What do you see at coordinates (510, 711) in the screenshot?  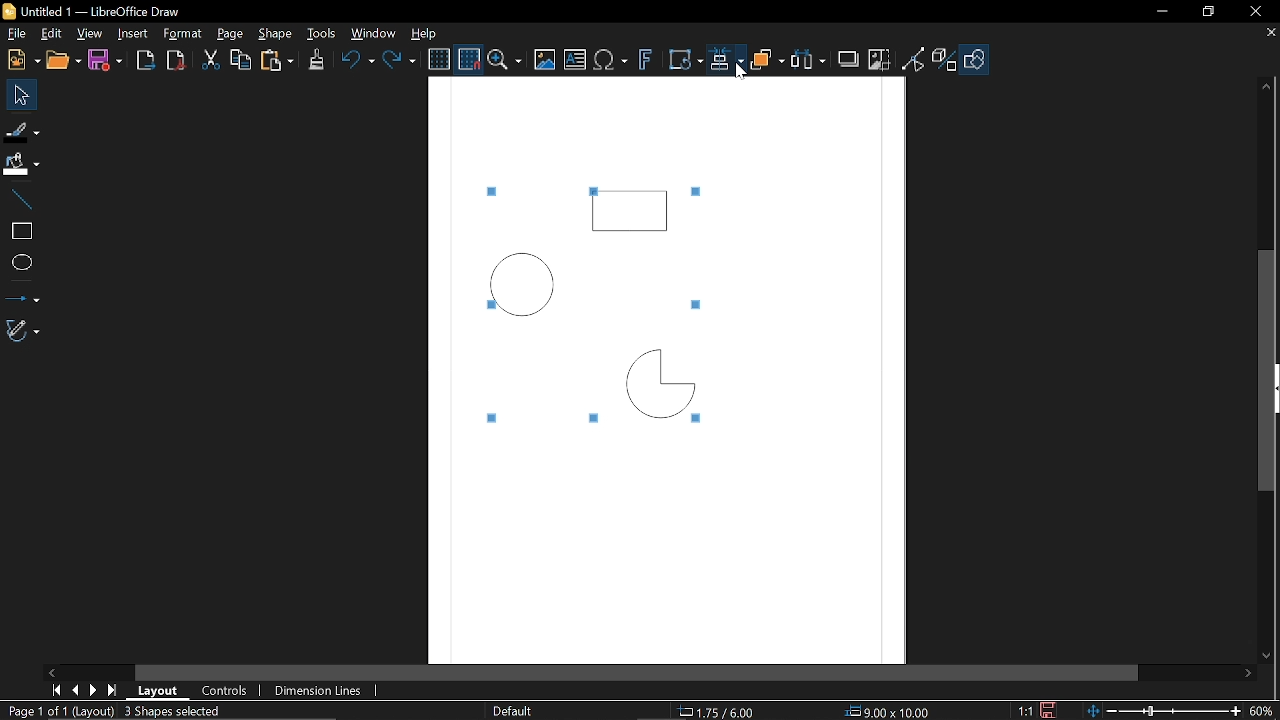 I see `Slide master name` at bounding box center [510, 711].